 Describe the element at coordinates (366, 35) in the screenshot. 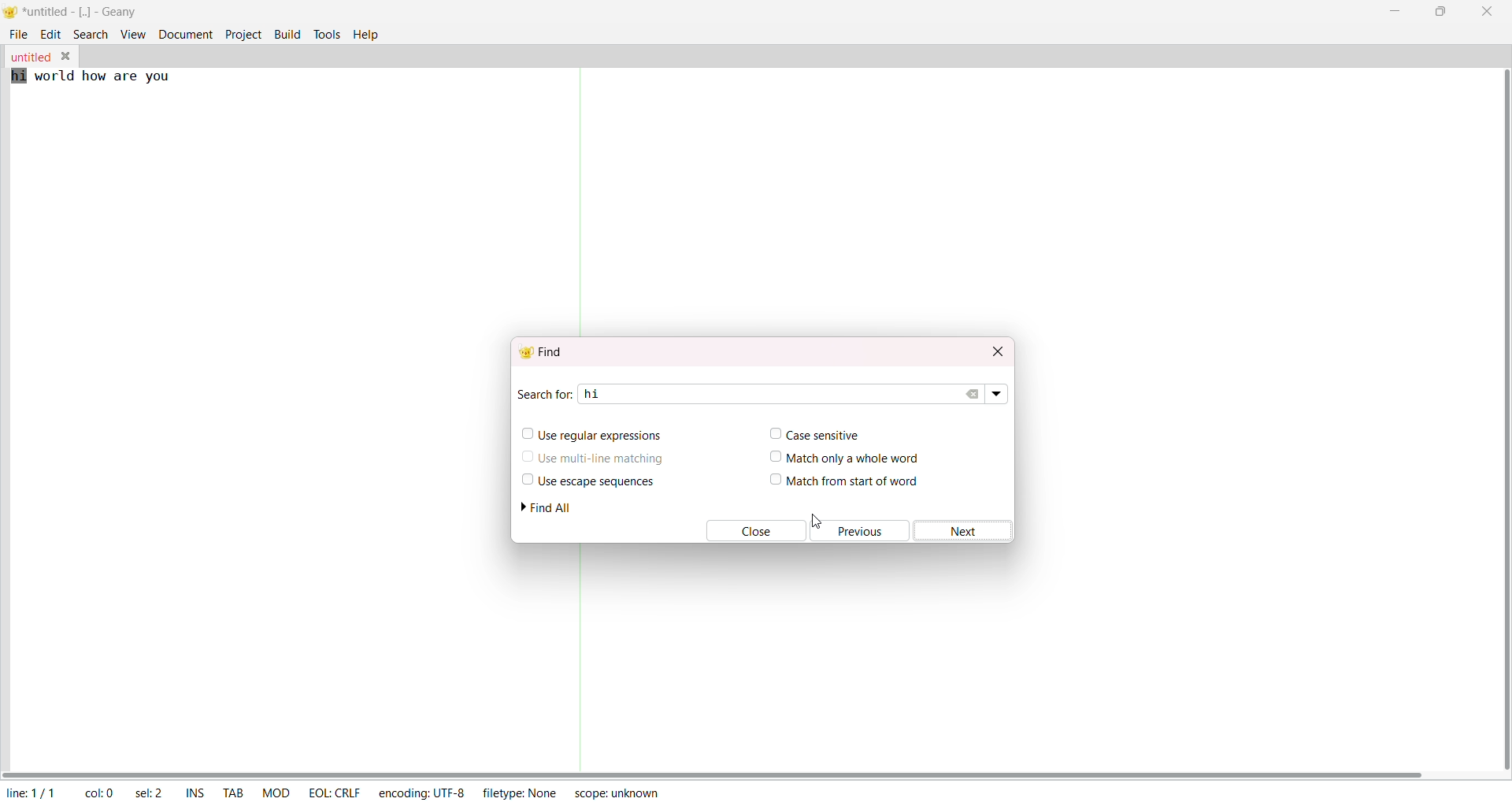

I see `help` at that location.